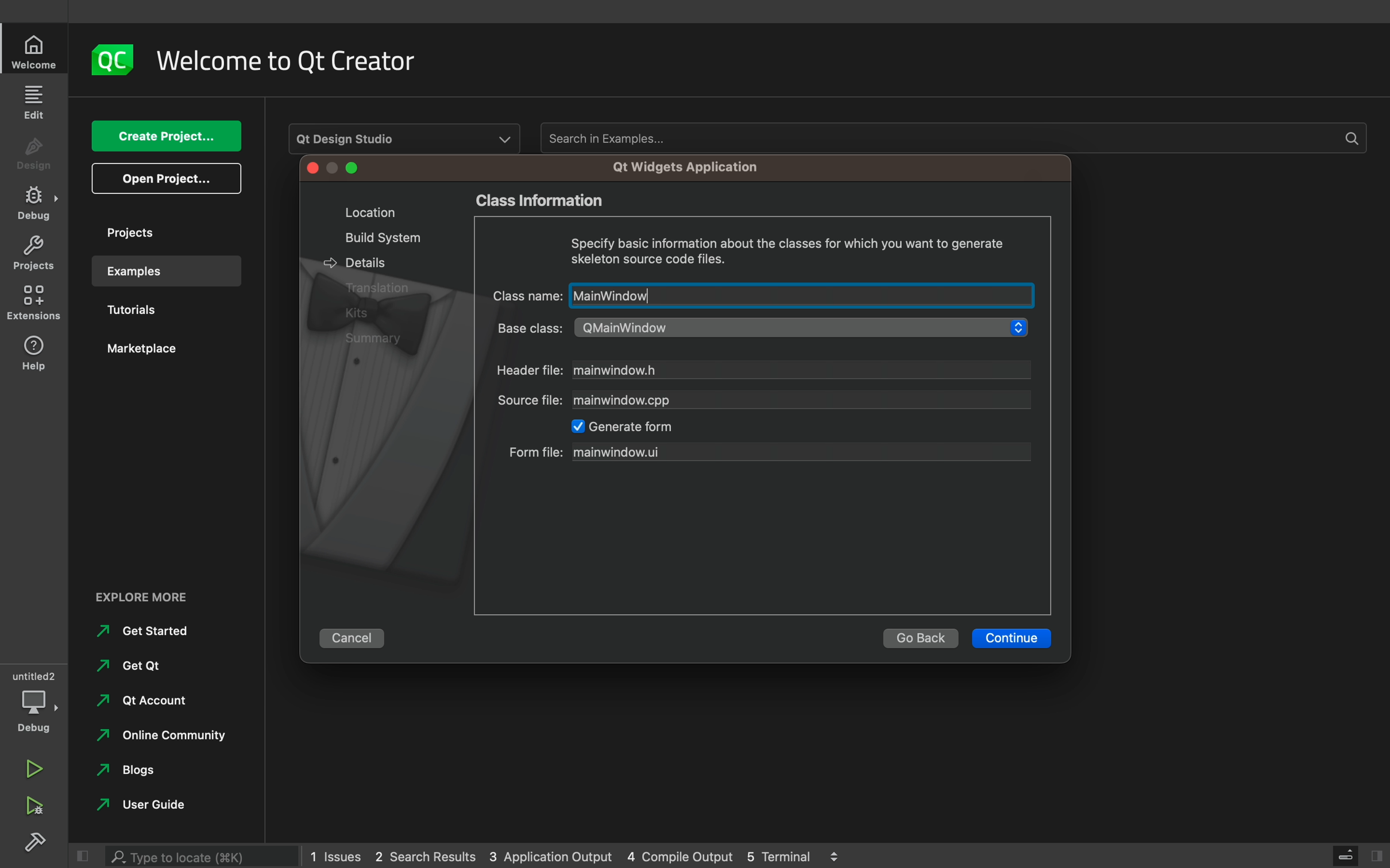  I want to click on , so click(38, 844).